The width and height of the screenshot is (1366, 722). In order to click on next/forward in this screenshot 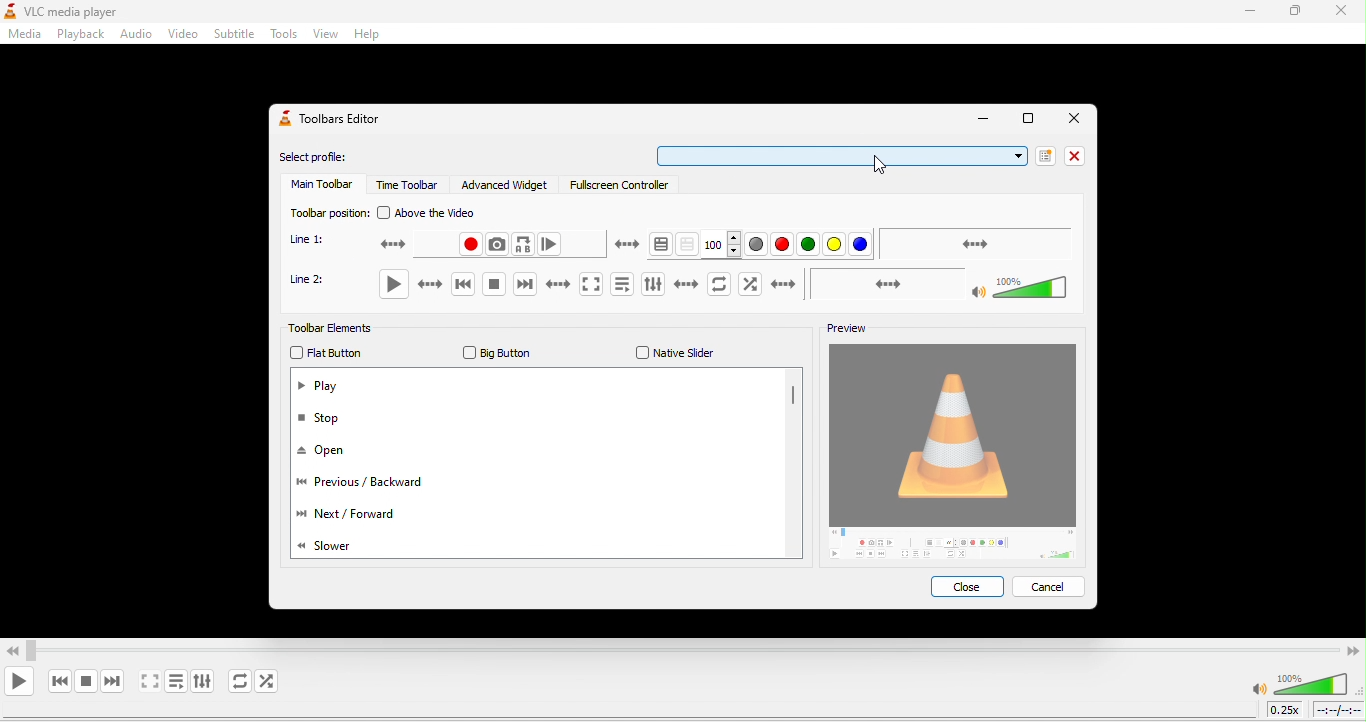, I will do `click(376, 513)`.